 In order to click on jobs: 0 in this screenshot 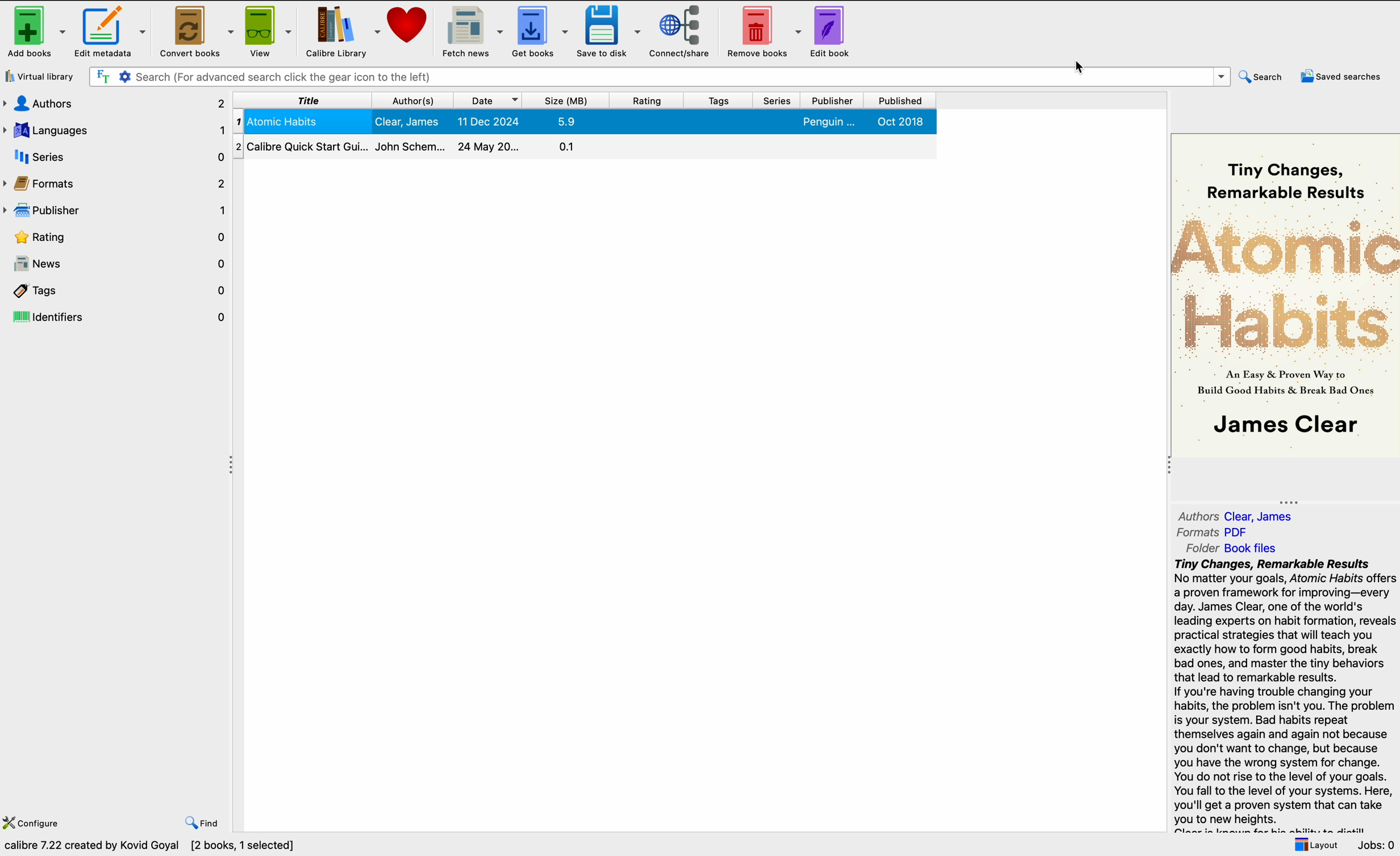, I will do `click(1377, 845)`.